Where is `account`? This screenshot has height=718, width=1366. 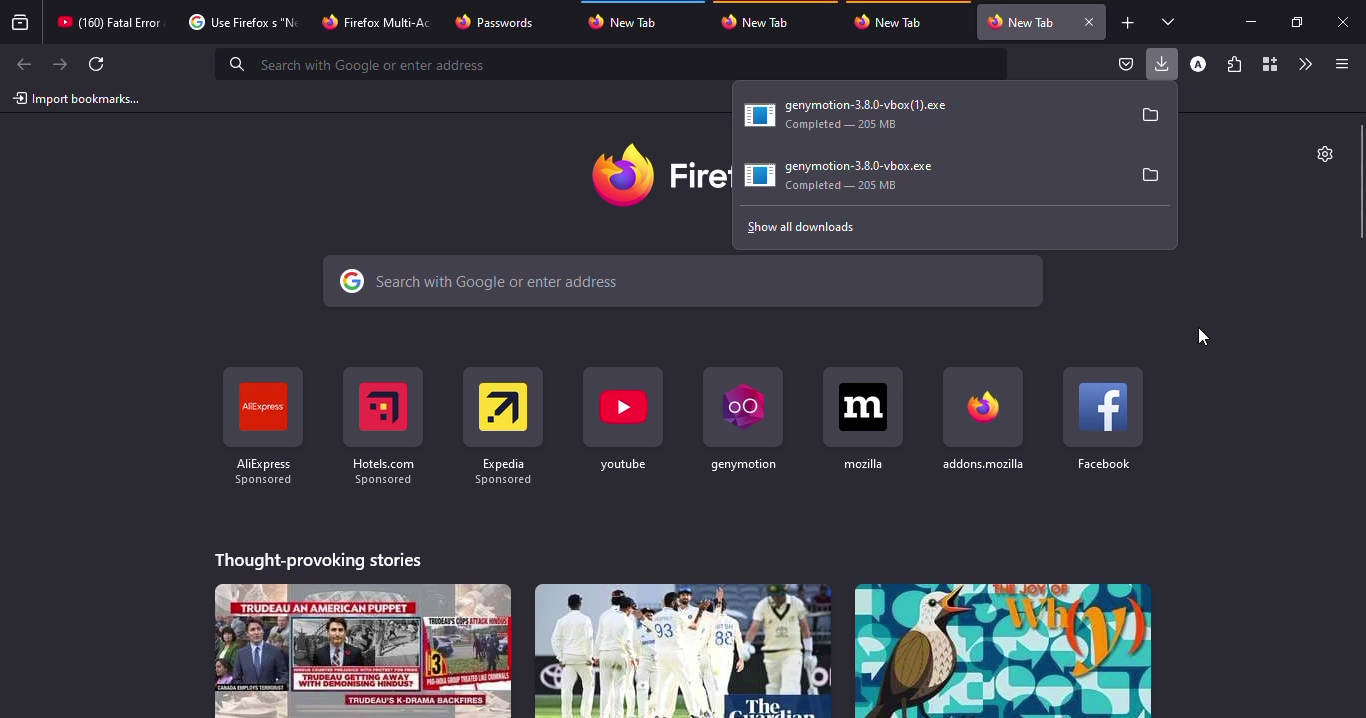 account is located at coordinates (1198, 65).